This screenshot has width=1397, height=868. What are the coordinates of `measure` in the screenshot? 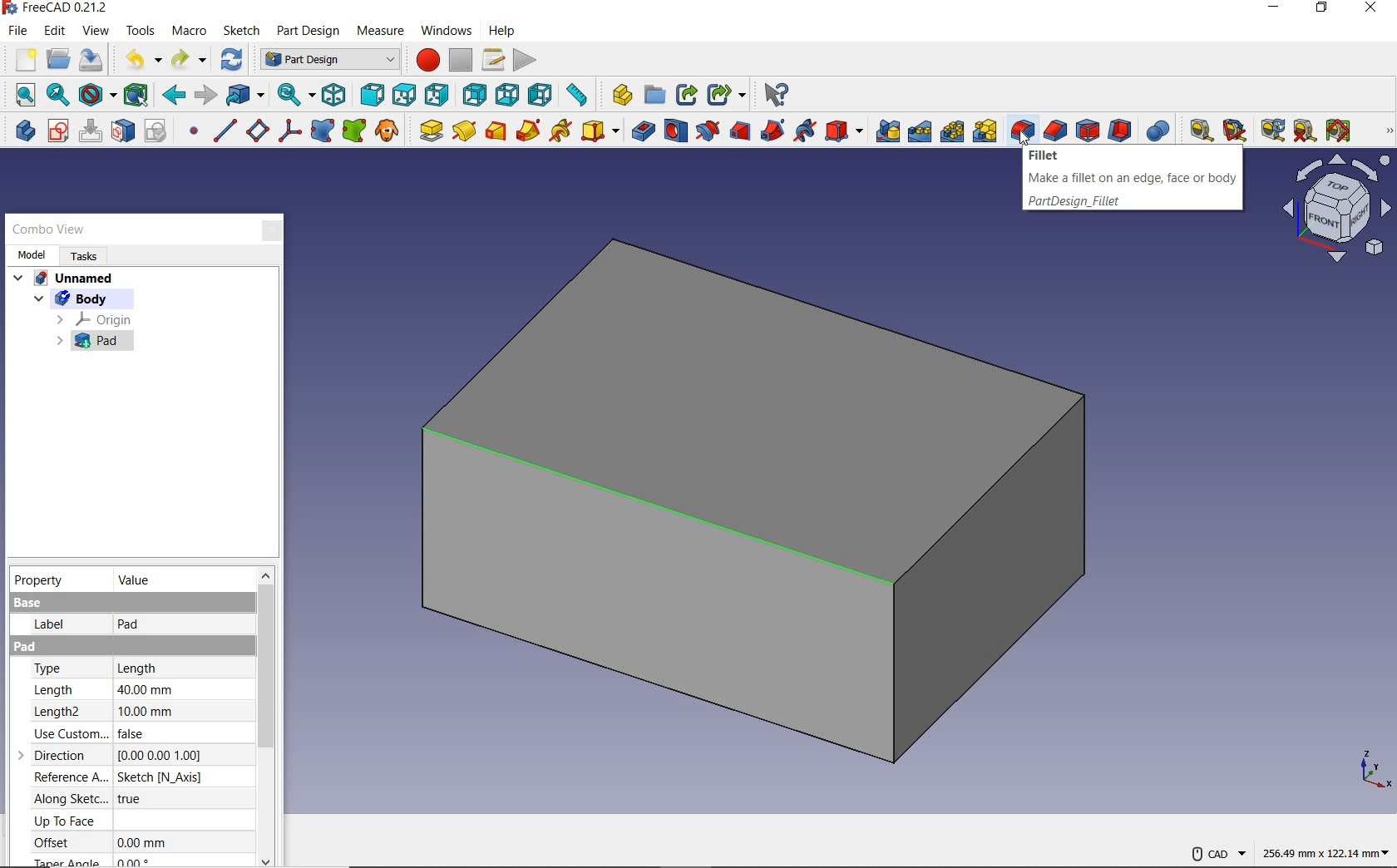 It's located at (384, 32).